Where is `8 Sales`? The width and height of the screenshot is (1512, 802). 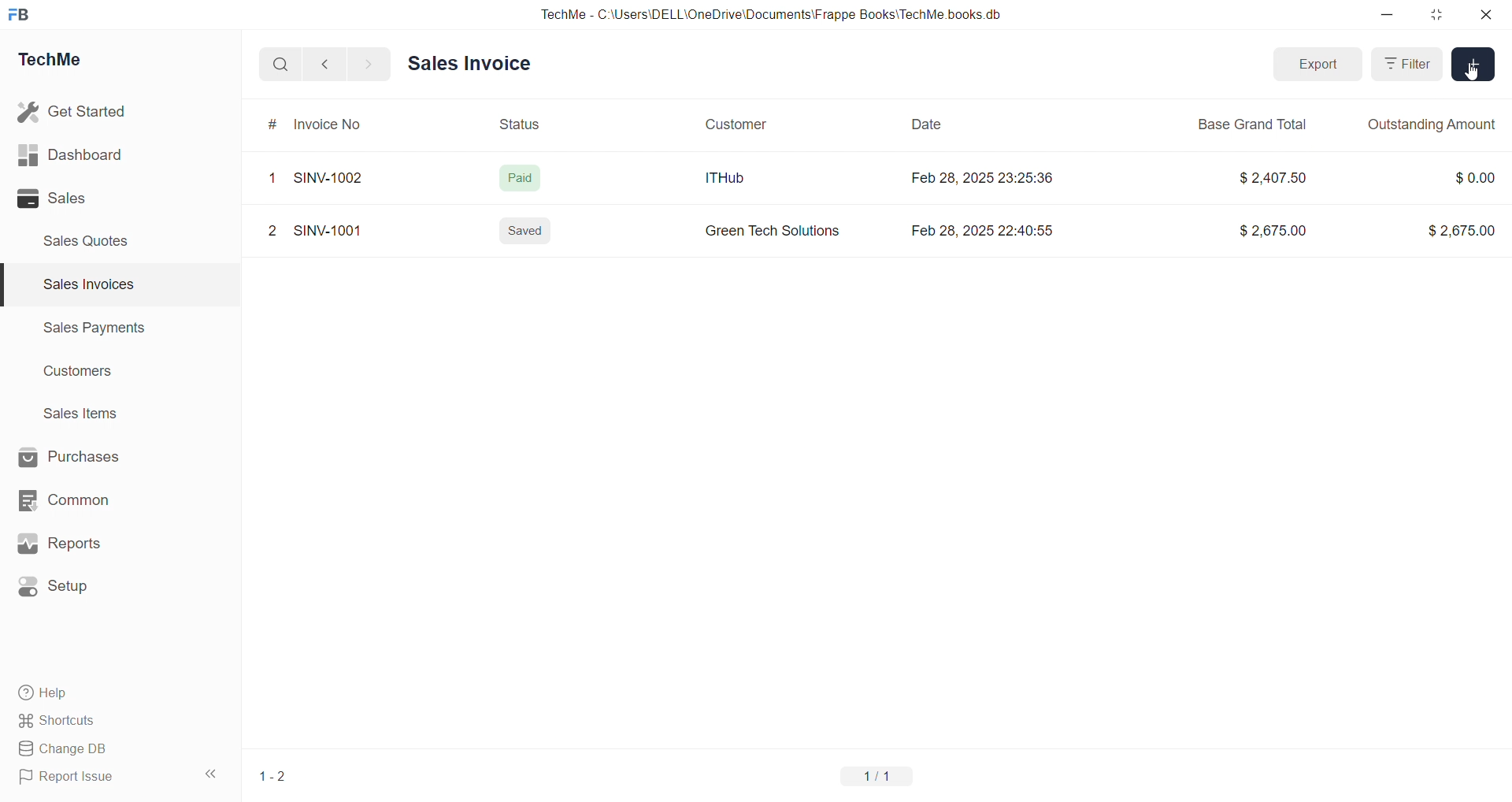 8 Sales is located at coordinates (55, 198).